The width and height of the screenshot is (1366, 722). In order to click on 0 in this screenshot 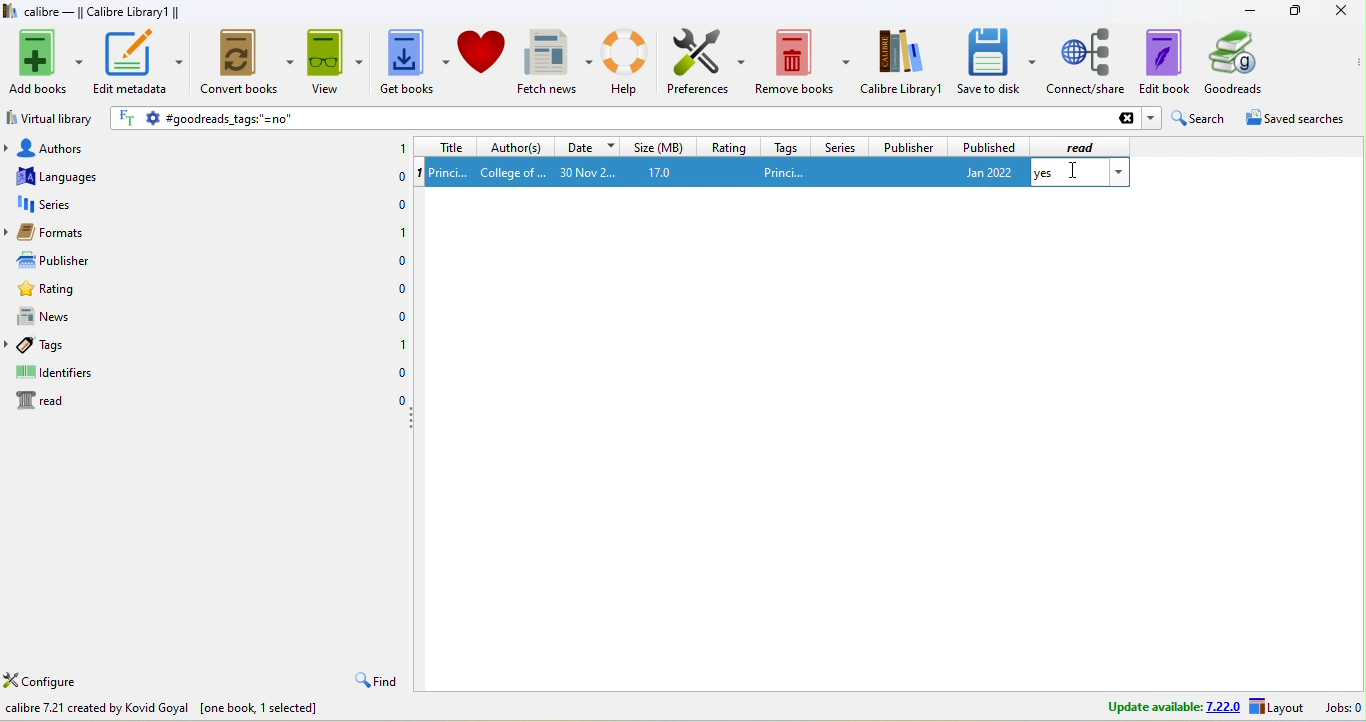, I will do `click(401, 398)`.